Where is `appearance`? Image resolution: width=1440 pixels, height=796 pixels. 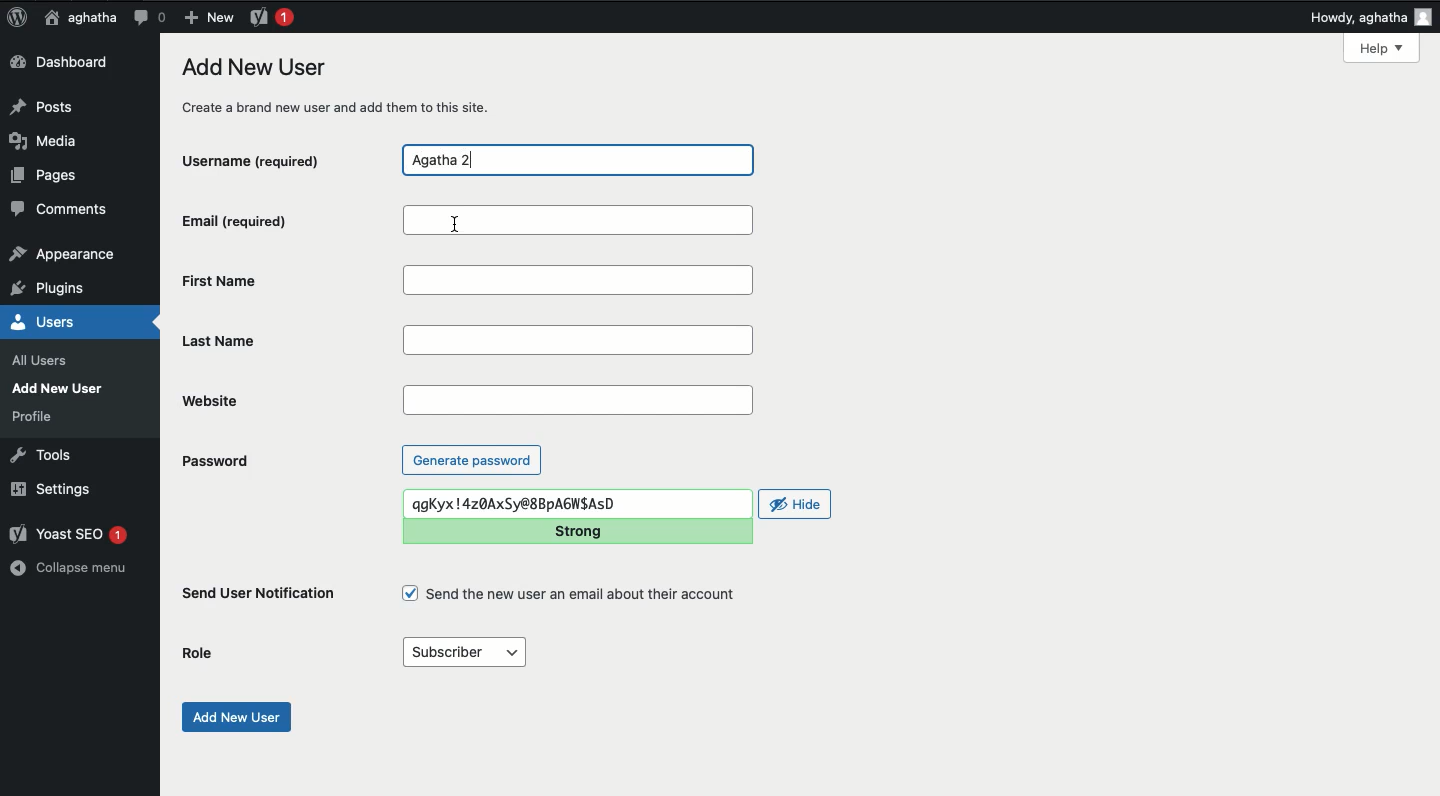 appearance is located at coordinates (63, 256).